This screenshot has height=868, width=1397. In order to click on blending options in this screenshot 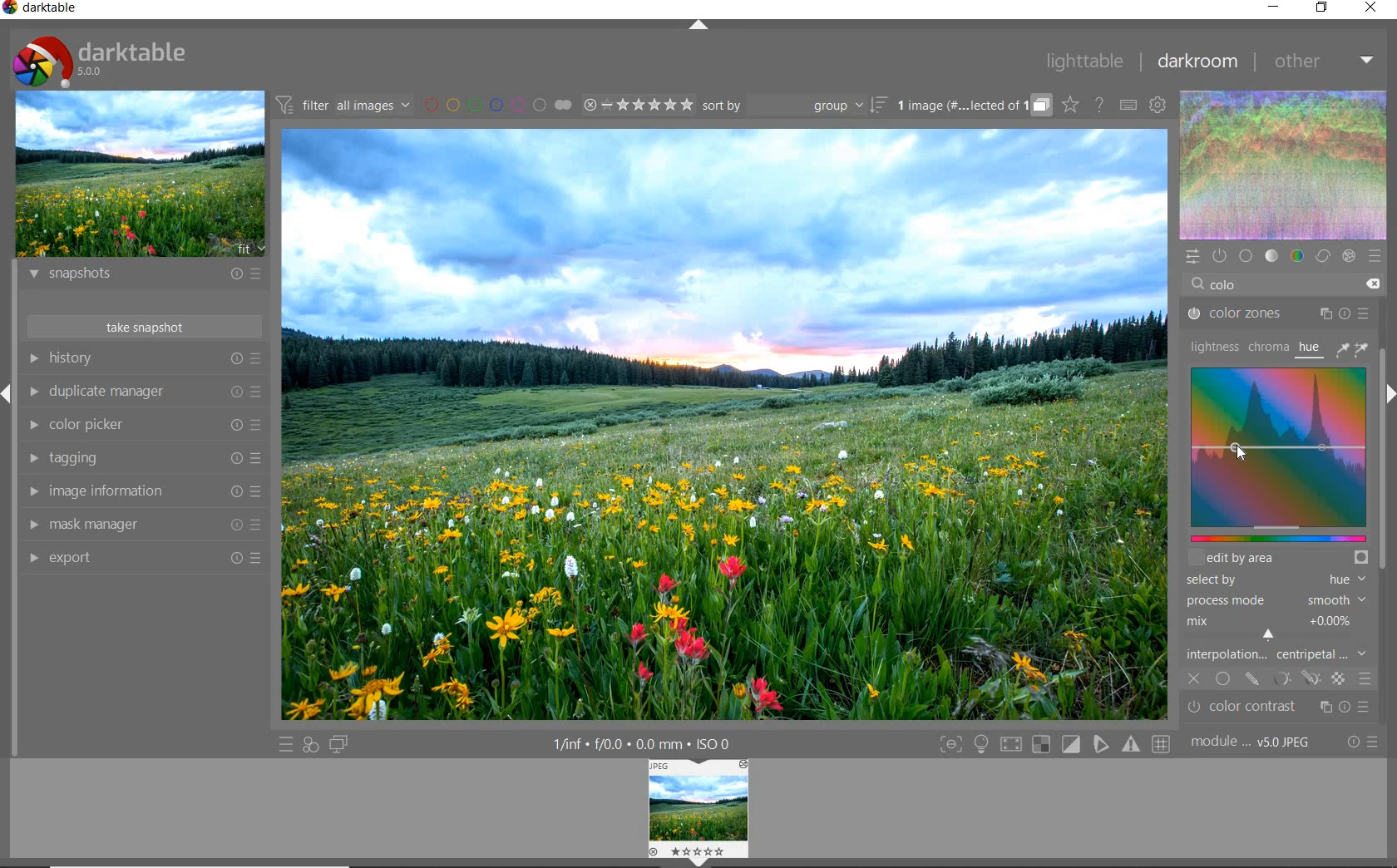, I will do `click(1365, 677)`.